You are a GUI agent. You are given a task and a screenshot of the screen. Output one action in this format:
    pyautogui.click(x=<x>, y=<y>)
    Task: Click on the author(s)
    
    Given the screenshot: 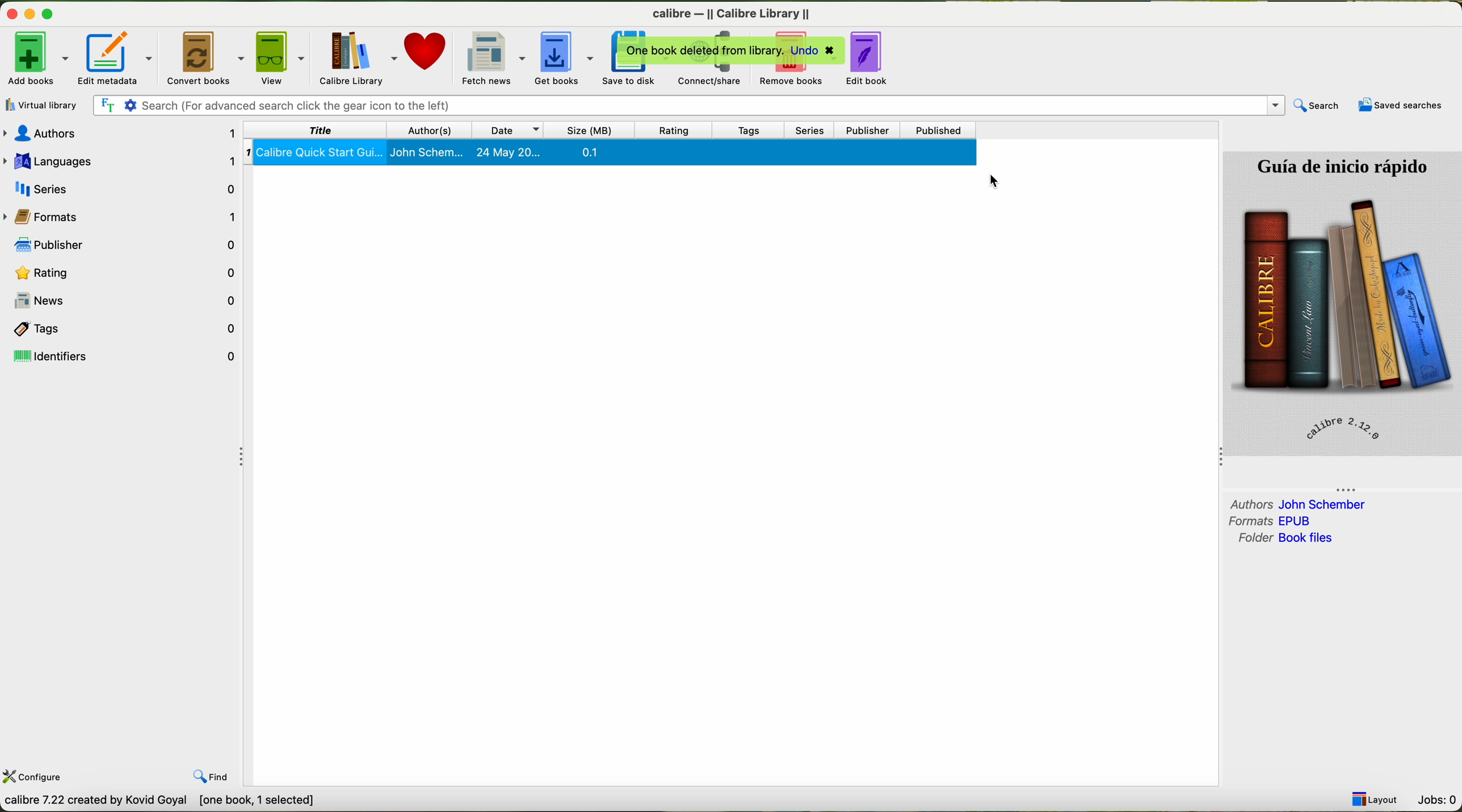 What is the action you would take?
    pyautogui.click(x=430, y=130)
    